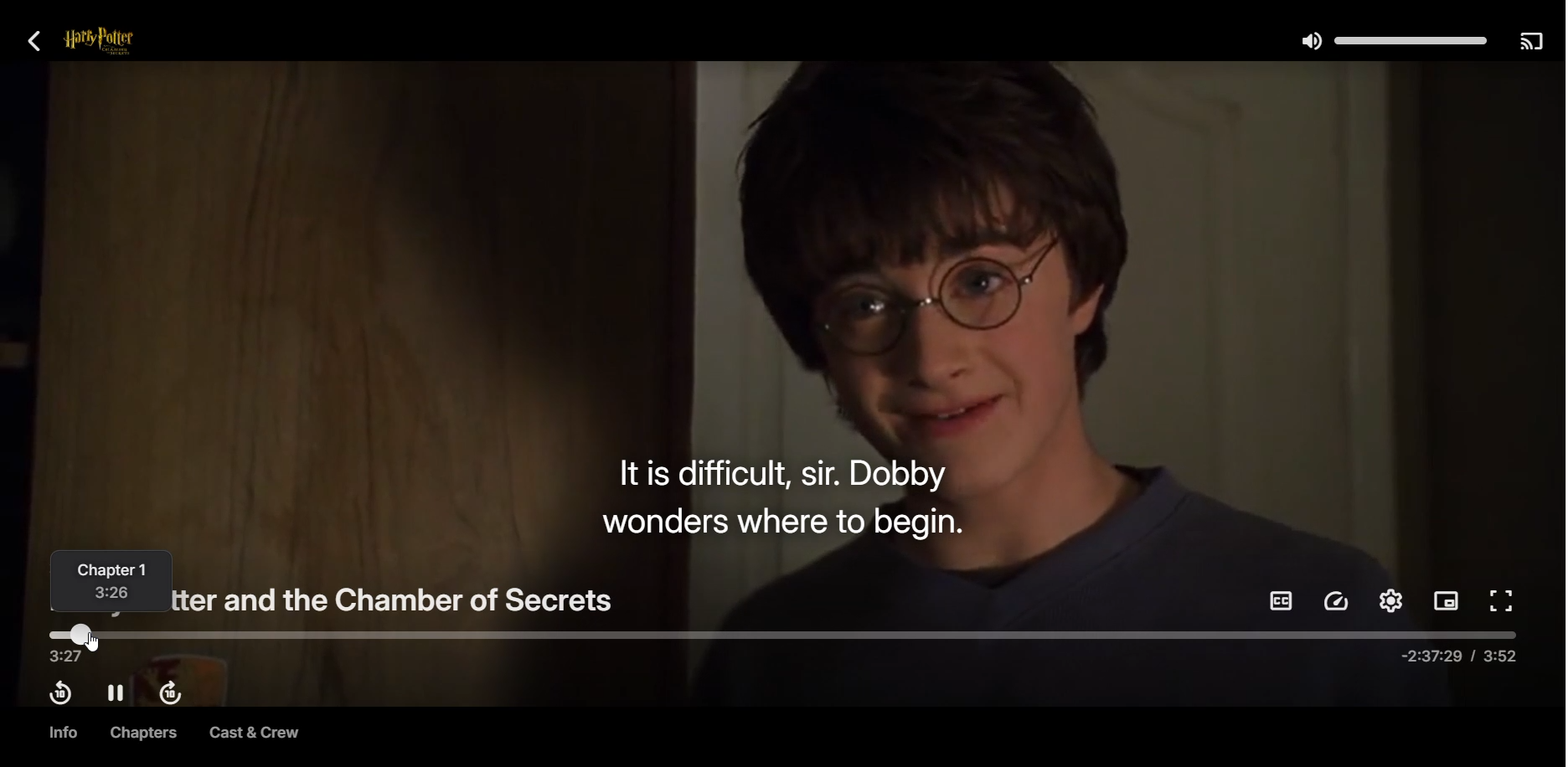 The image size is (1568, 767). What do you see at coordinates (61, 733) in the screenshot?
I see `Info` at bounding box center [61, 733].